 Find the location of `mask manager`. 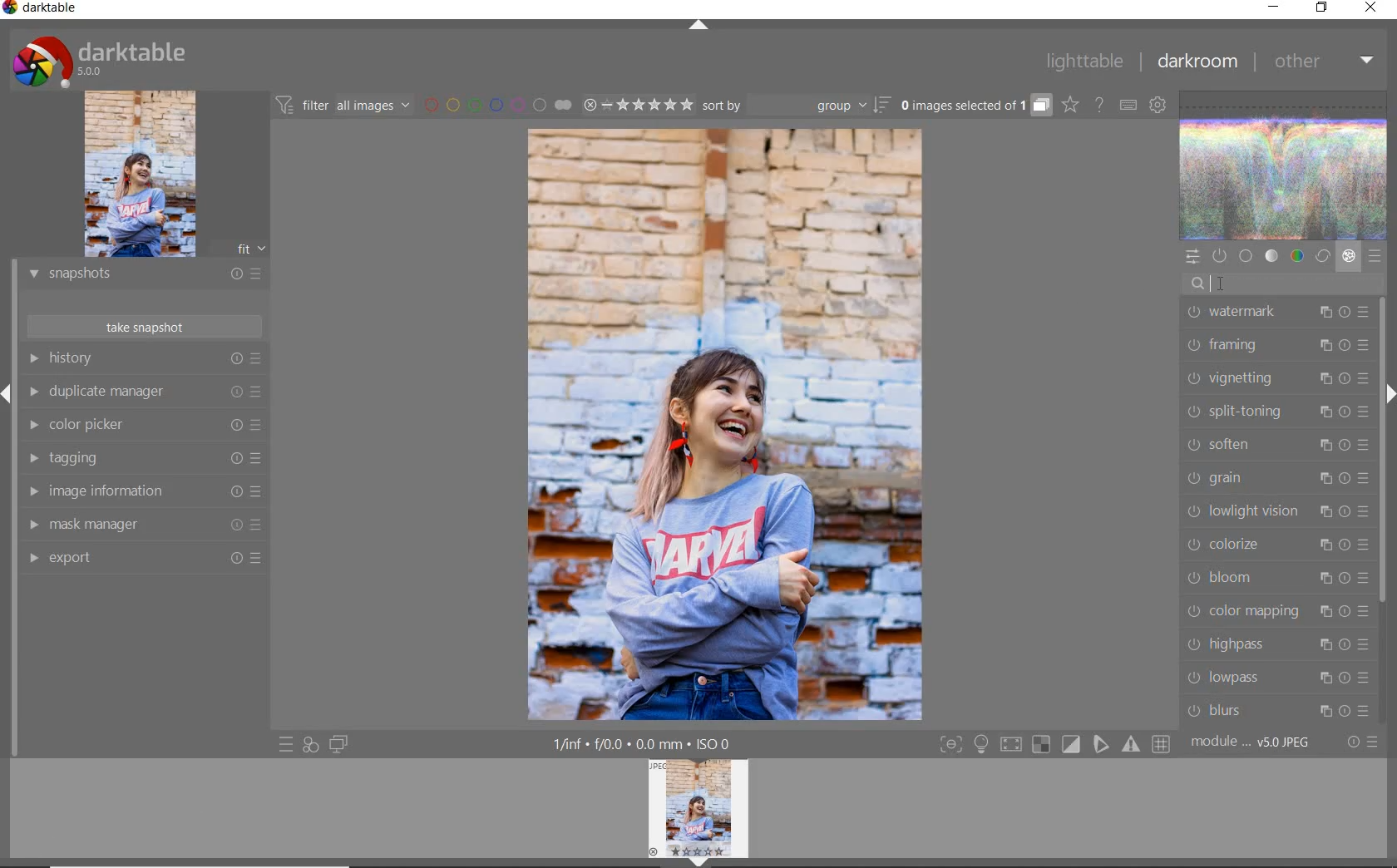

mask manager is located at coordinates (143, 526).